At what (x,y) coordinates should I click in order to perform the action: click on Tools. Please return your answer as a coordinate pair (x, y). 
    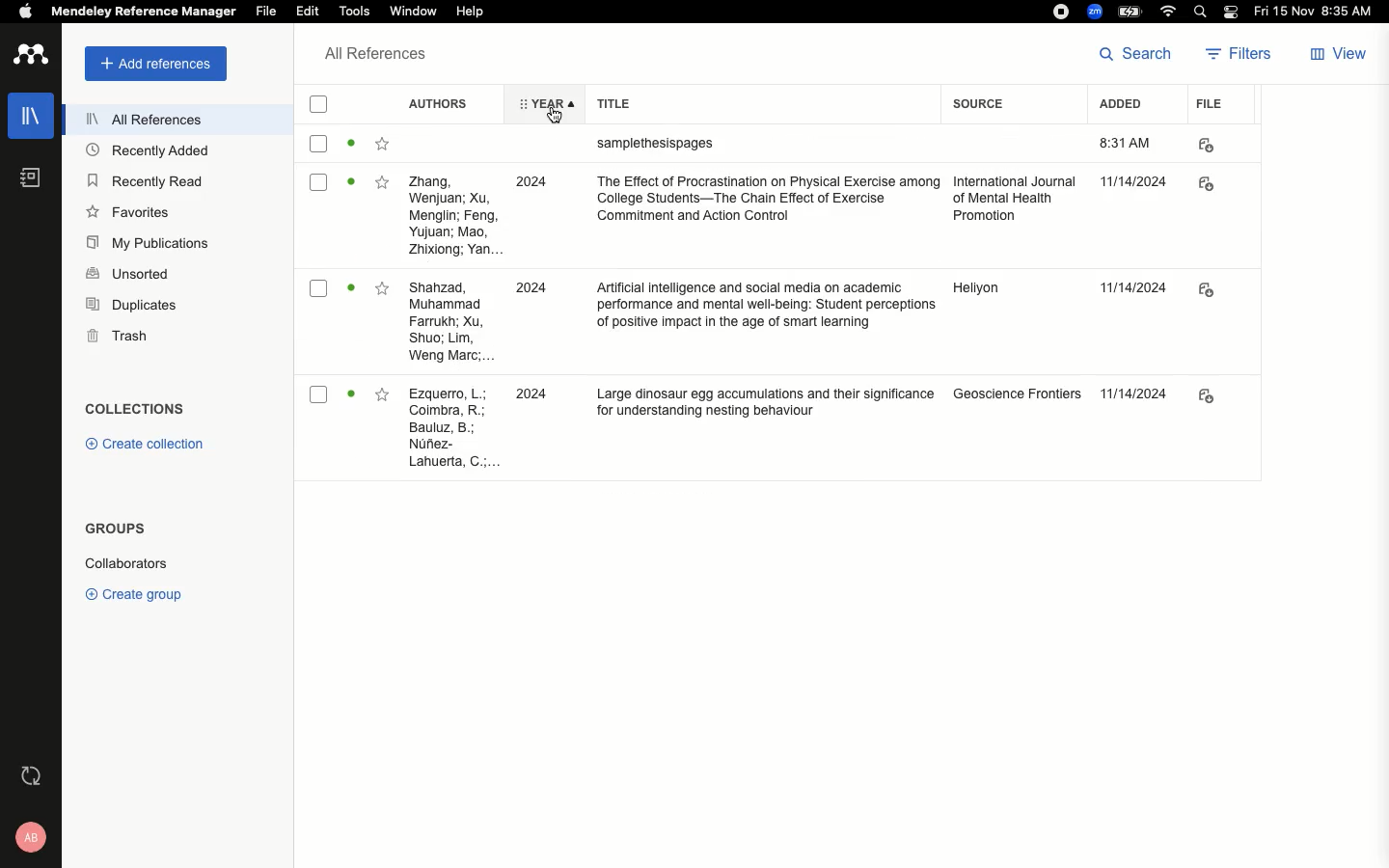
    Looking at the image, I should click on (355, 12).